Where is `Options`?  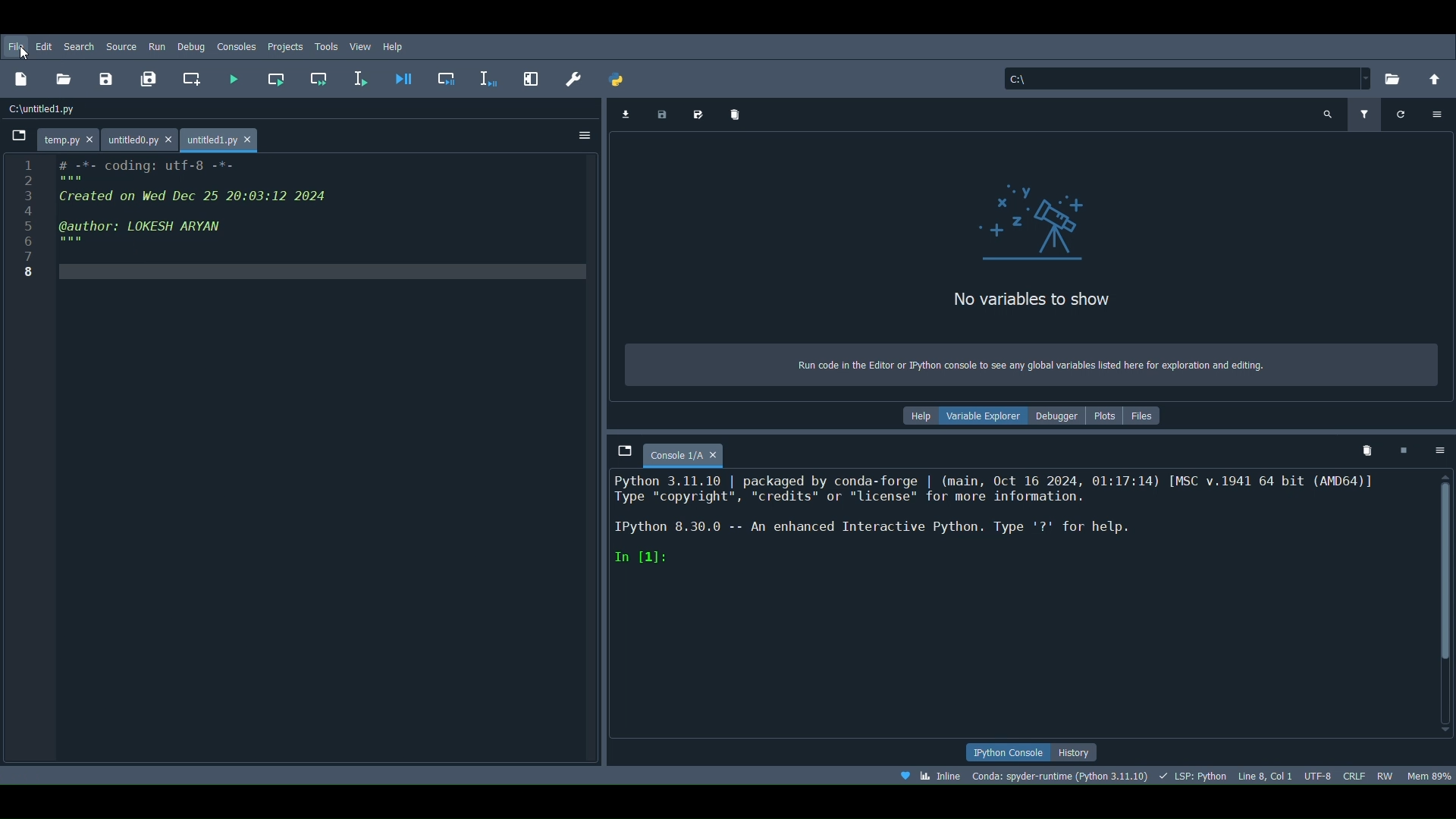
Options is located at coordinates (1441, 449).